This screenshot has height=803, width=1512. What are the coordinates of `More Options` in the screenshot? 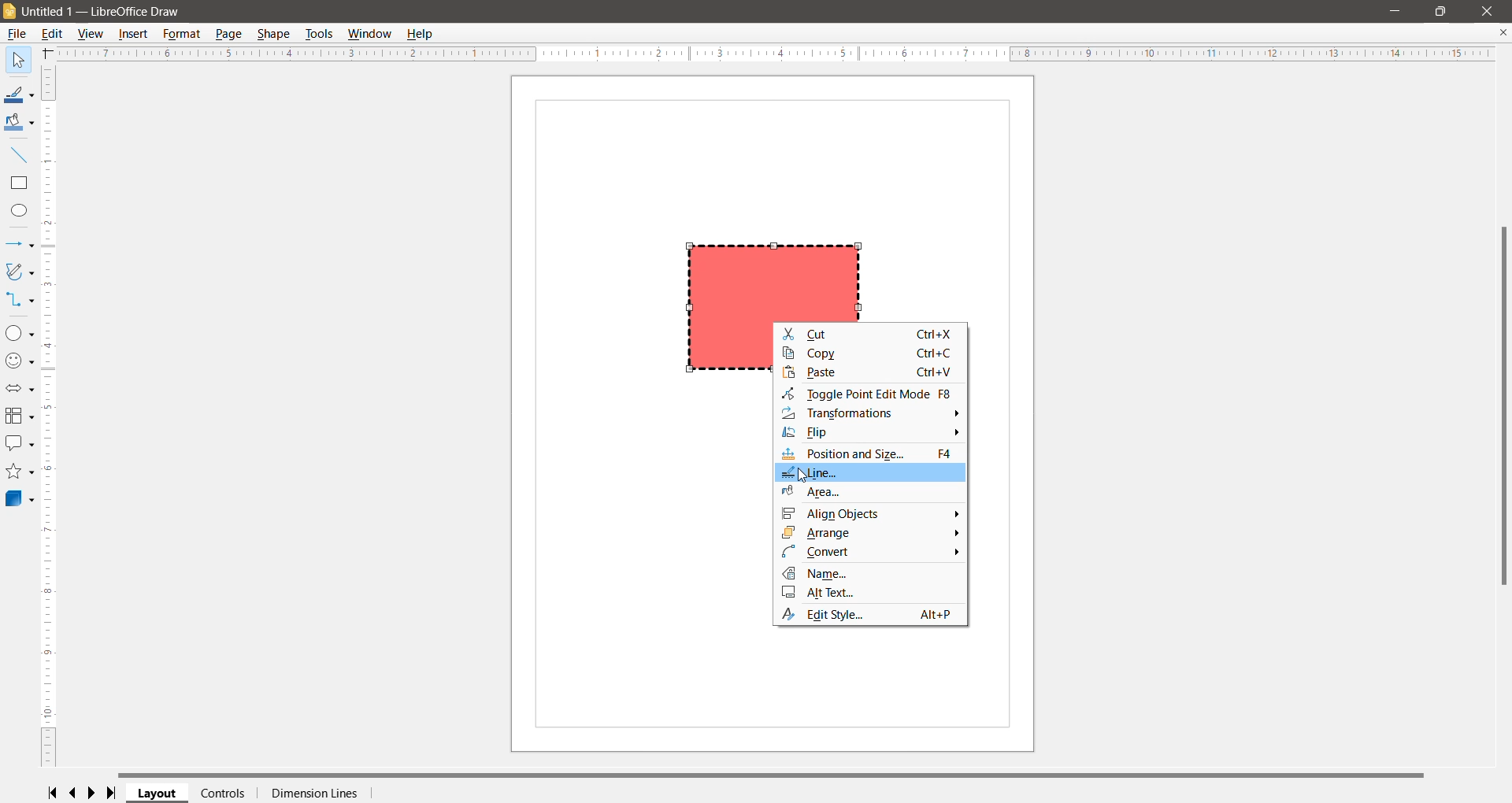 It's located at (956, 535).